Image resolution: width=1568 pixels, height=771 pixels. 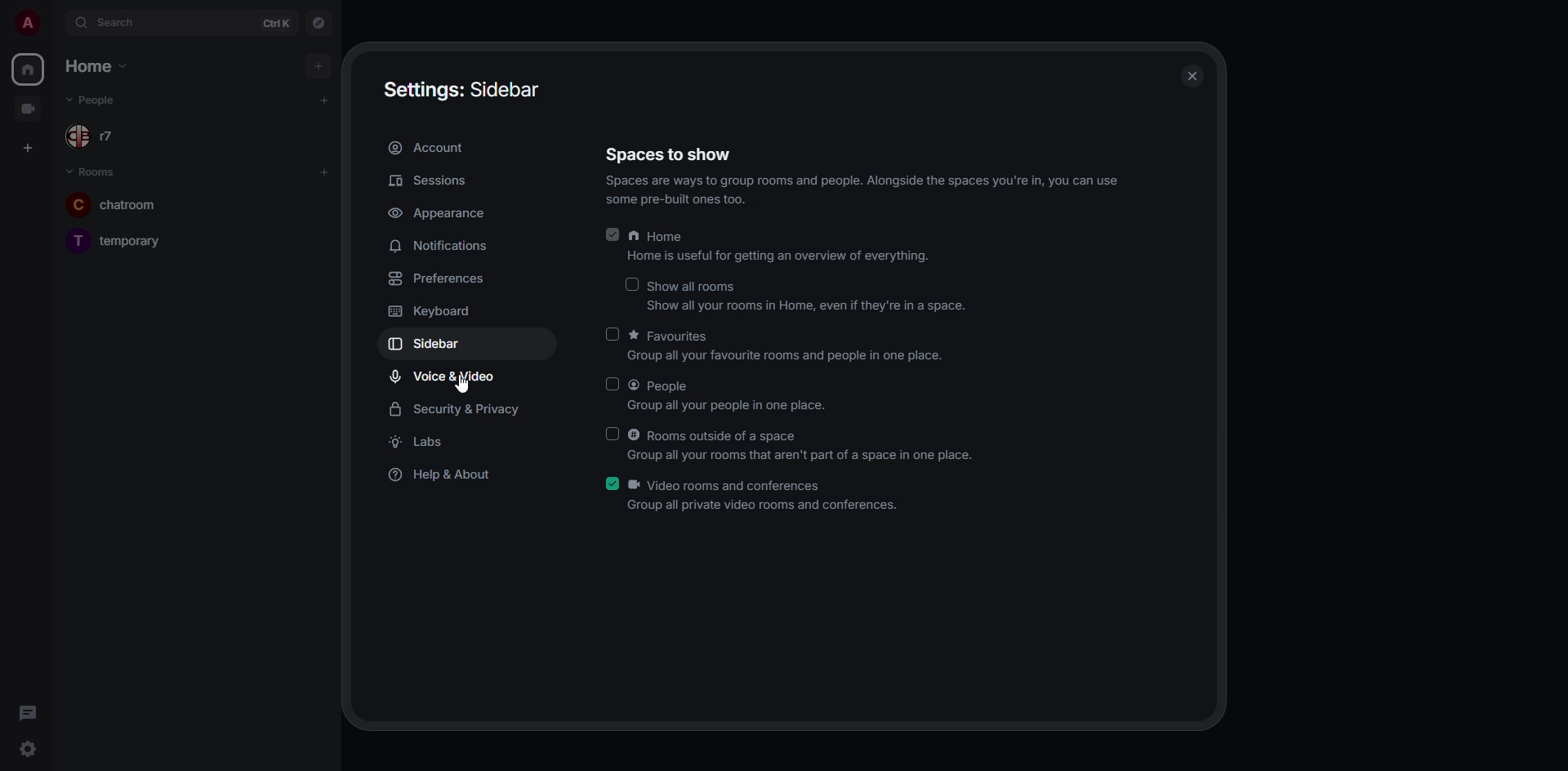 What do you see at coordinates (437, 213) in the screenshot?
I see `appearance` at bounding box center [437, 213].